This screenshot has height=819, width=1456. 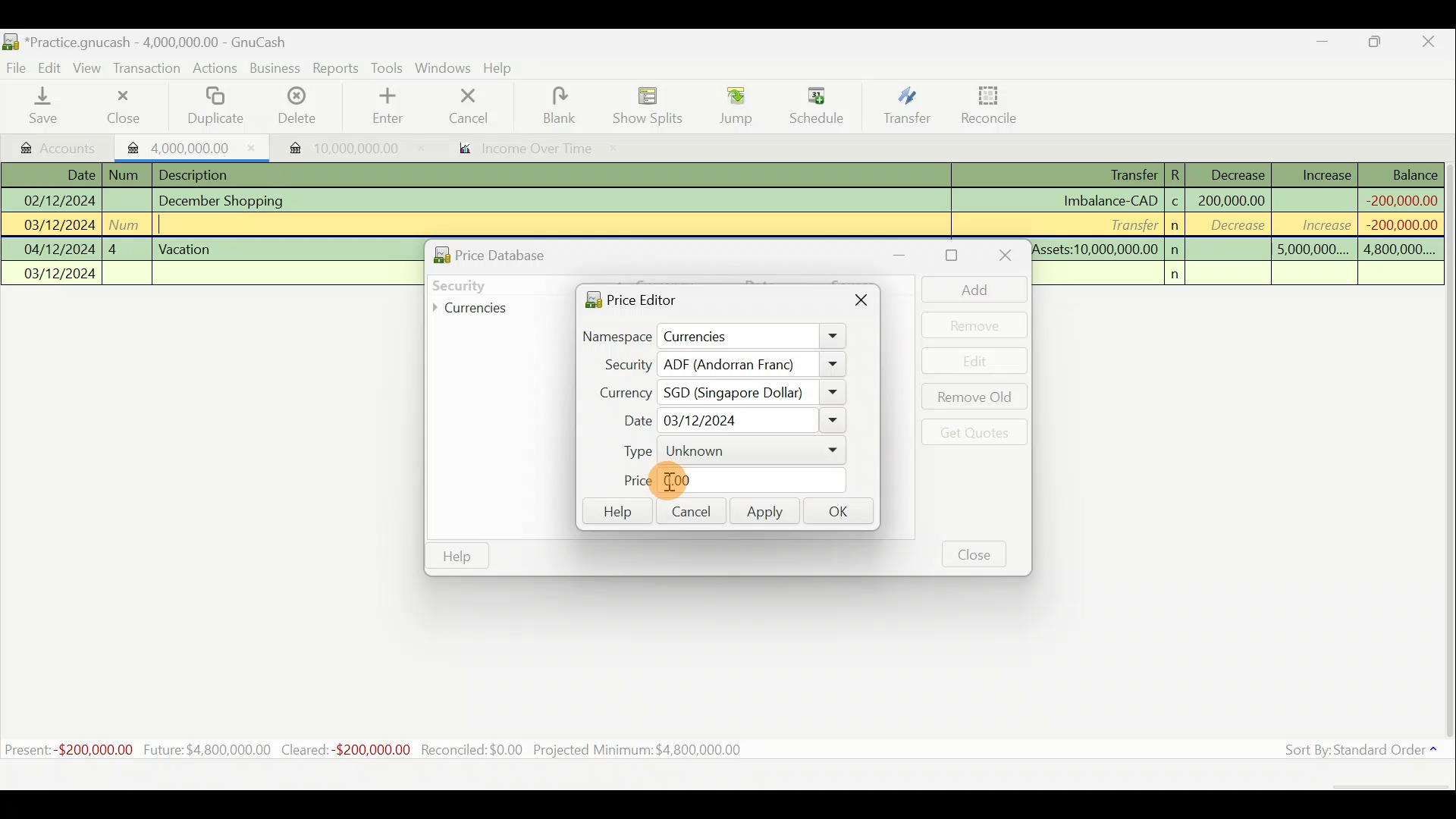 I want to click on View, so click(x=92, y=67).